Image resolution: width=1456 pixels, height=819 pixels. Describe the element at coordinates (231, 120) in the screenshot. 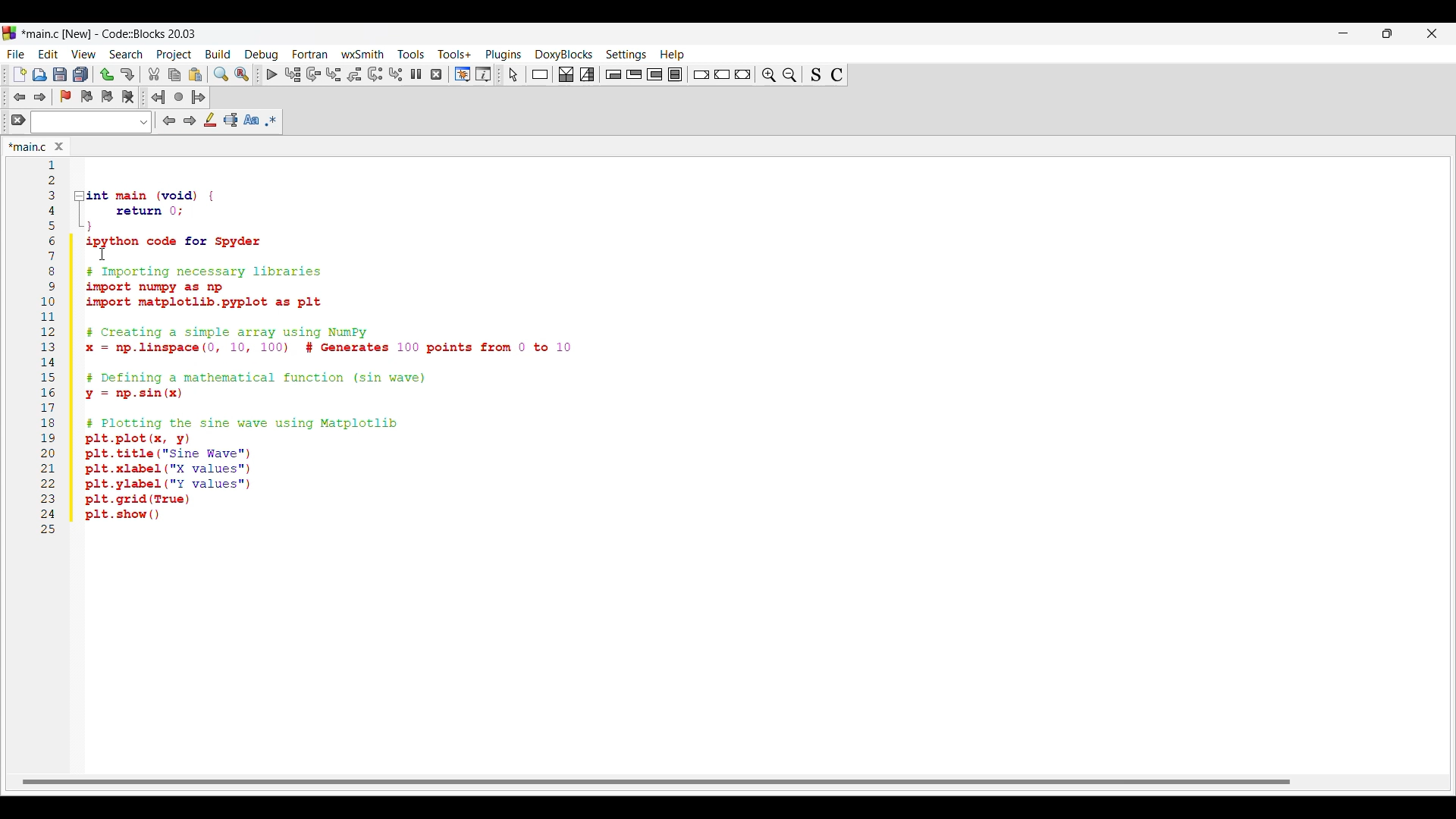

I see `Selected text` at that location.